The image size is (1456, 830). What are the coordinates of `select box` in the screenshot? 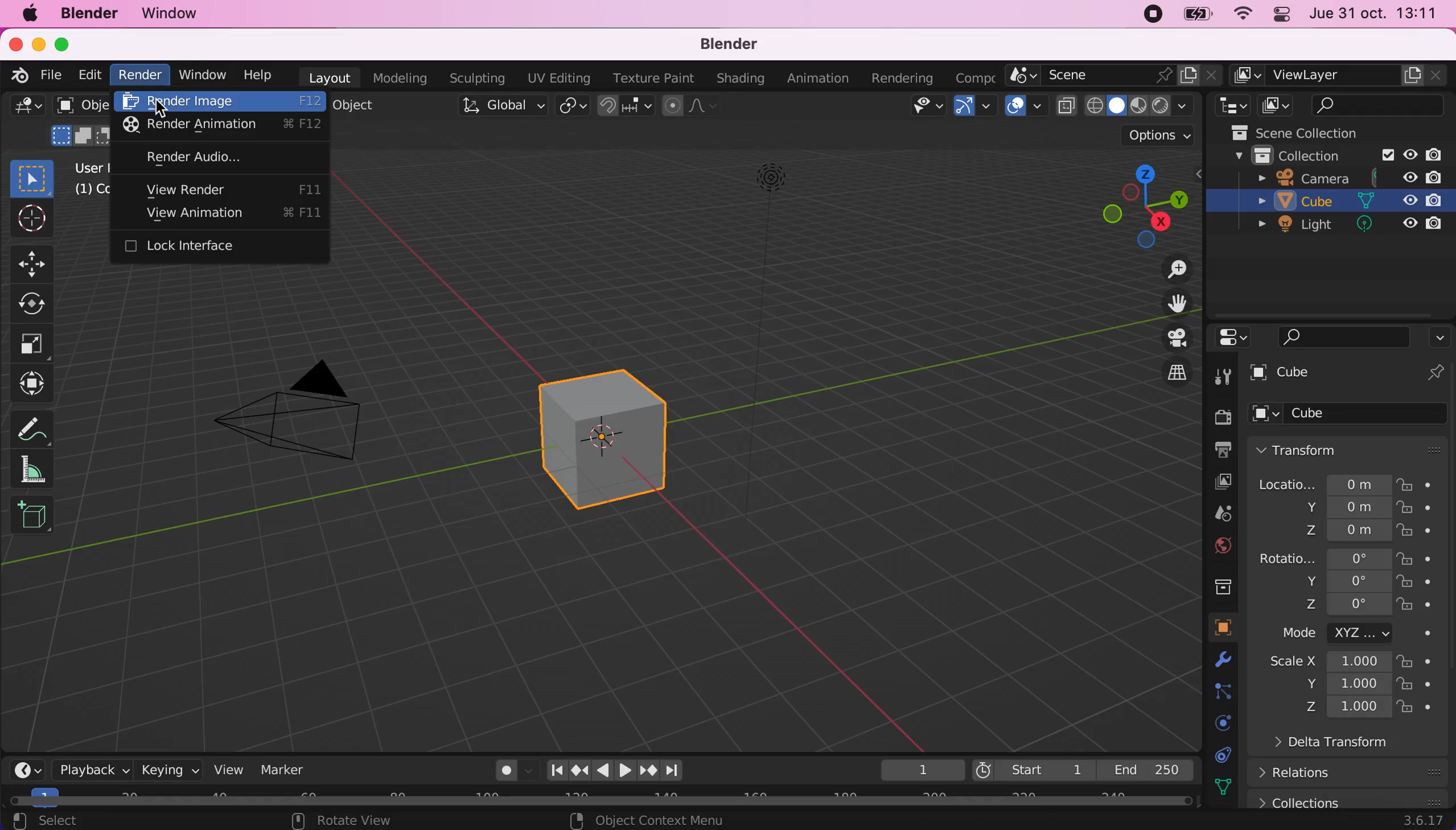 It's located at (32, 177).